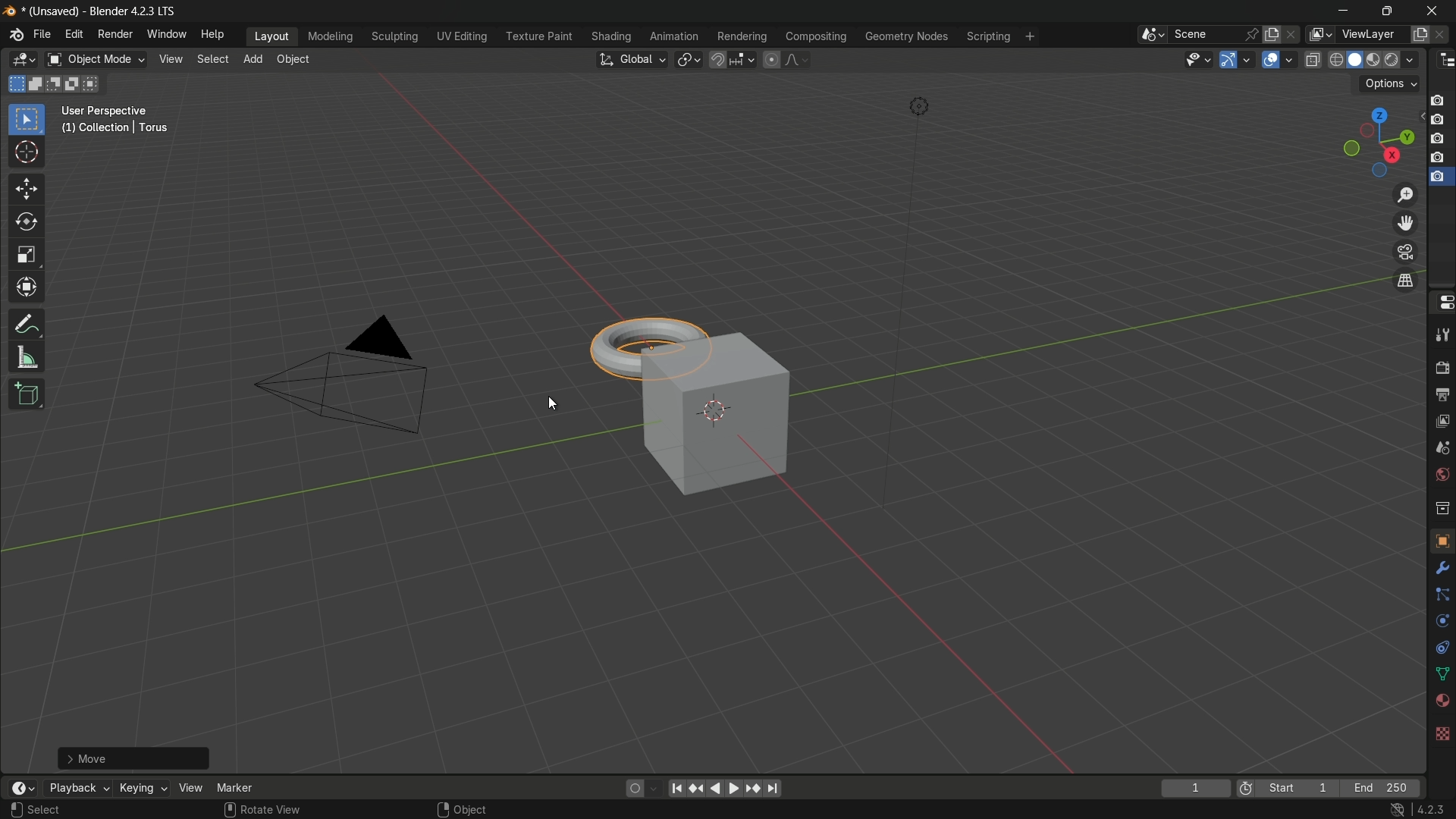 Image resolution: width=1456 pixels, height=819 pixels. Describe the element at coordinates (1436, 119) in the screenshot. I see `layer 2` at that location.